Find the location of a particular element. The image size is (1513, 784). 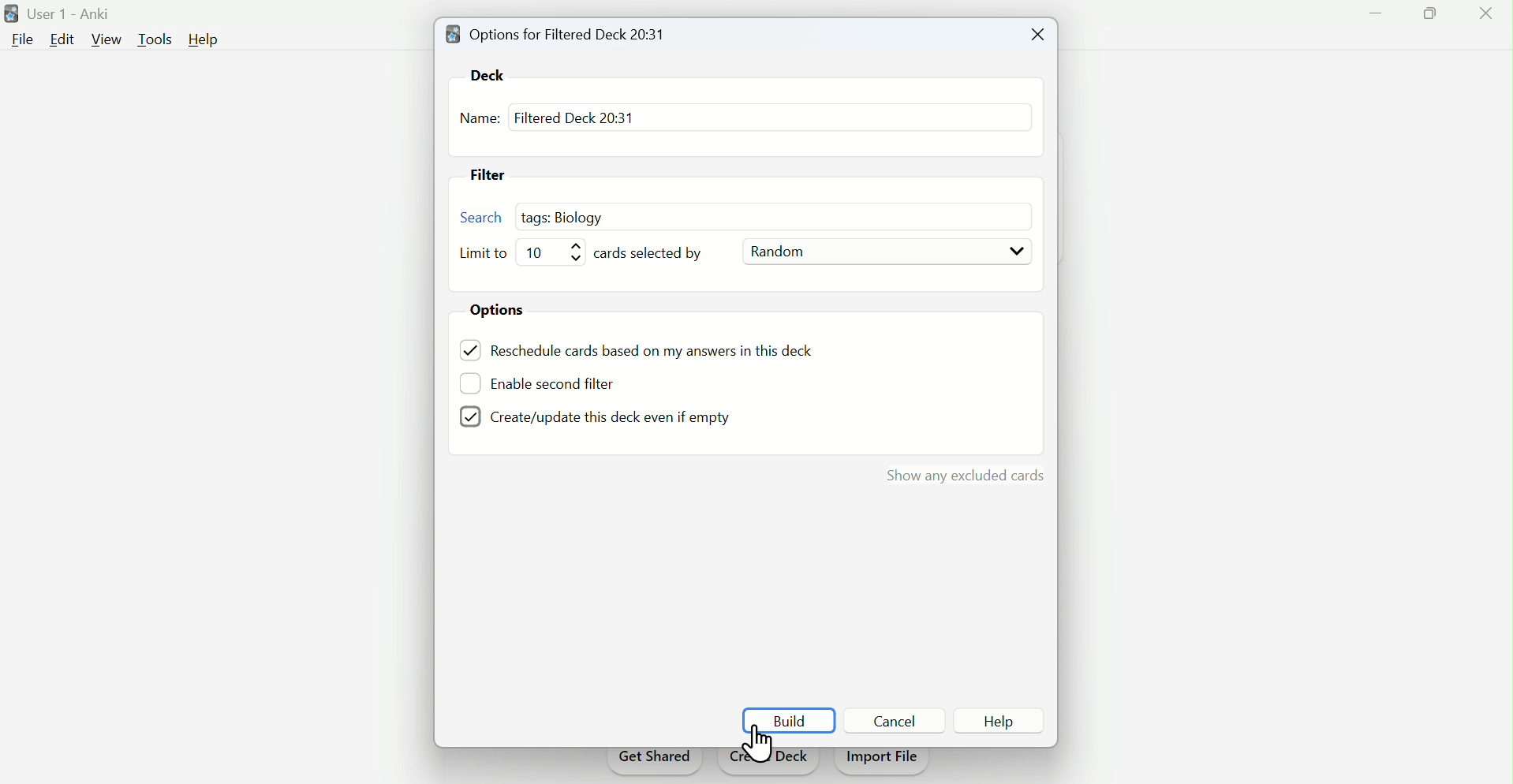

Filtered deck 20: 31 is located at coordinates (573, 117).